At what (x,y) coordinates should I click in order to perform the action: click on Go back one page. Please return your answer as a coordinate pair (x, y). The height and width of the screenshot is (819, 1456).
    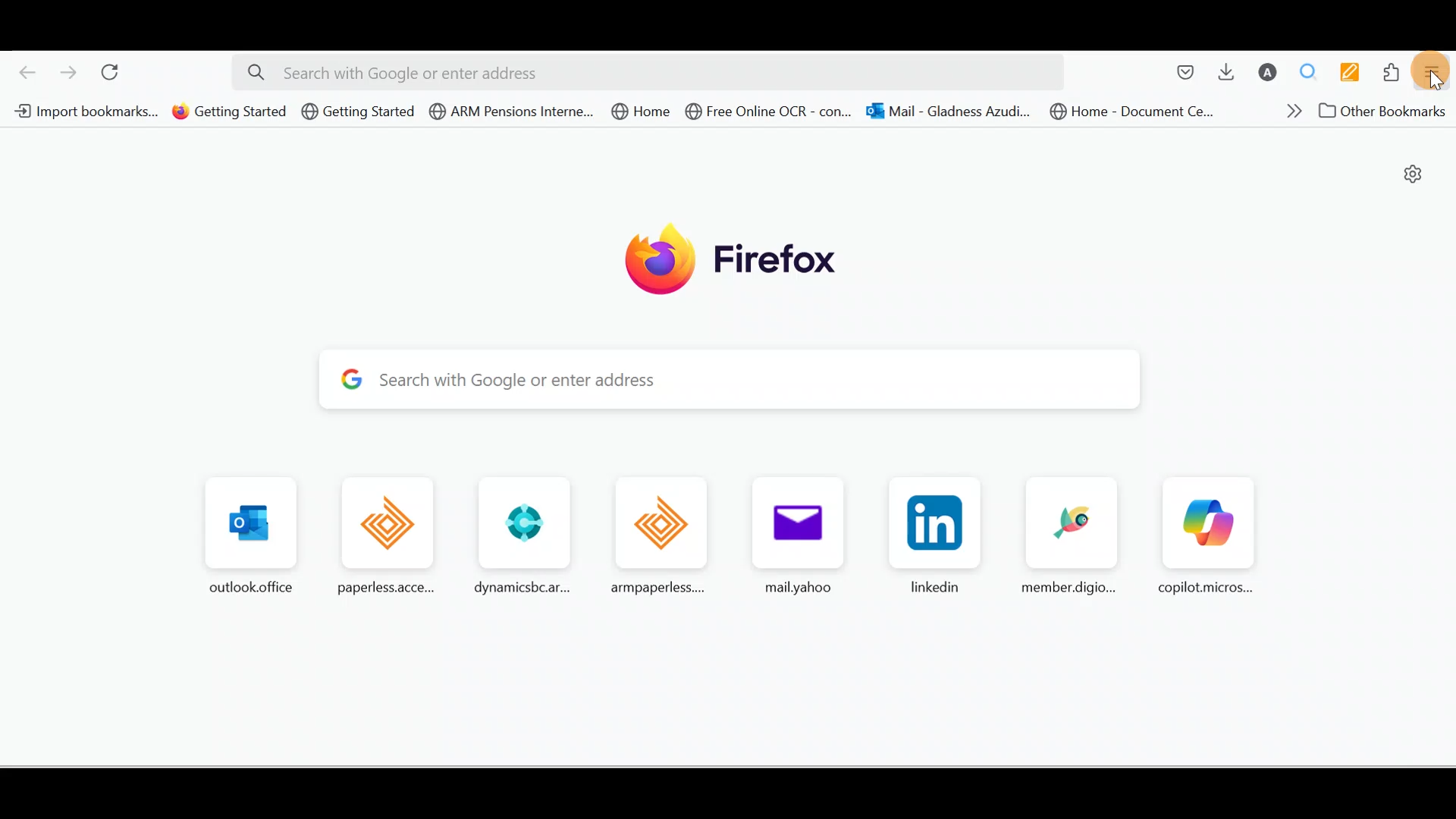
    Looking at the image, I should click on (21, 68).